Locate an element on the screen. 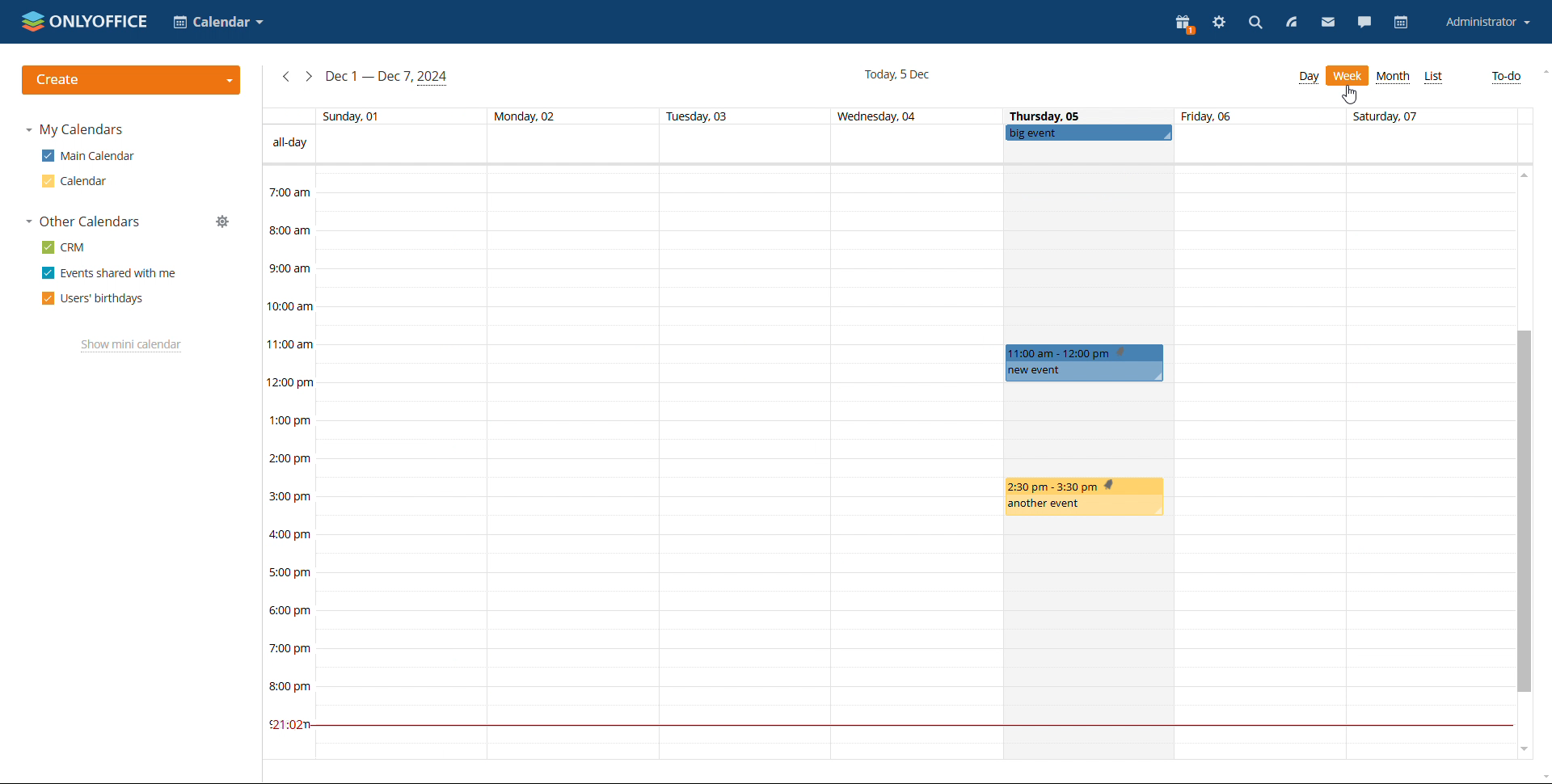  scroll up is located at coordinates (1522, 175).